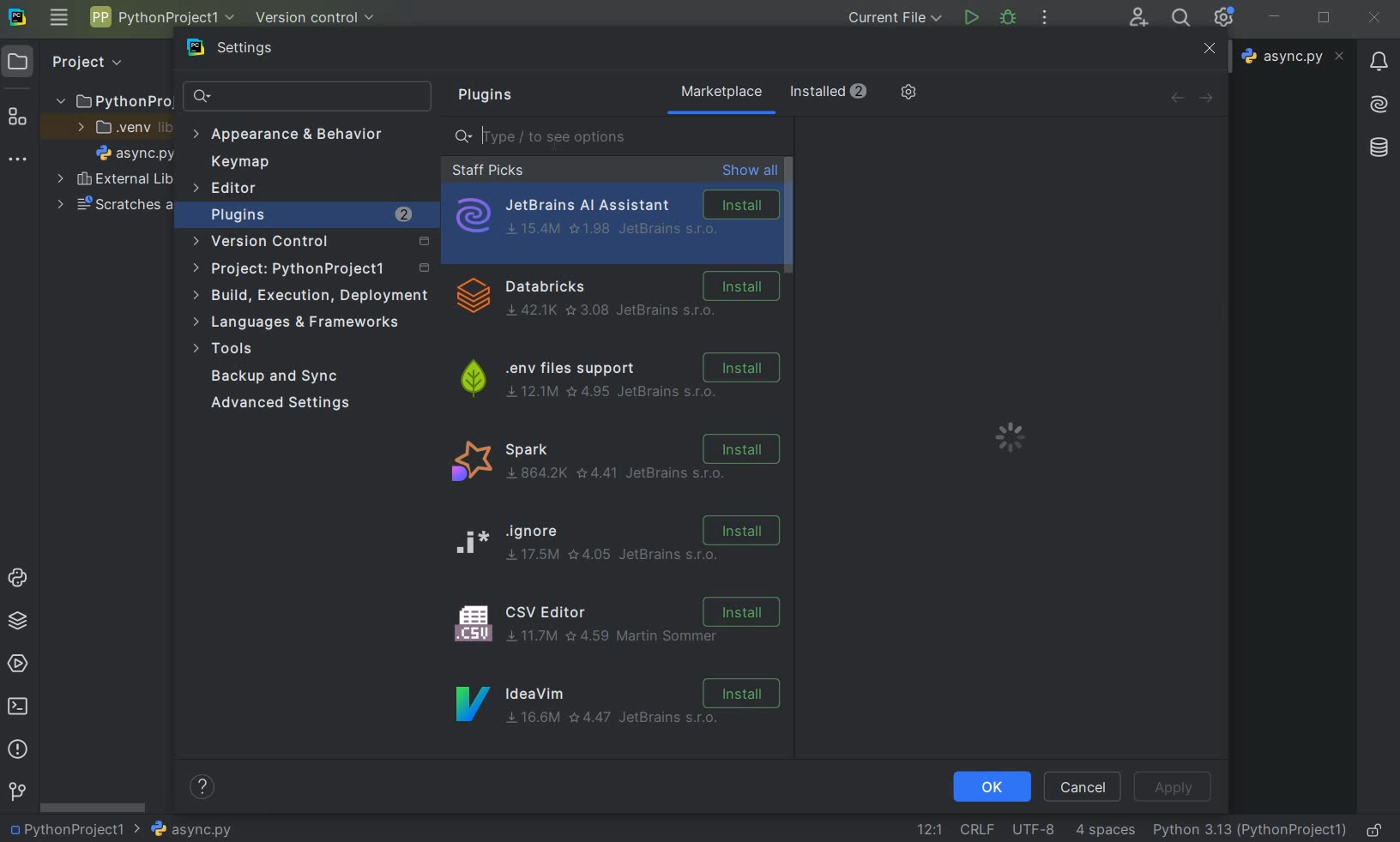  I want to click on plugins, so click(492, 95).